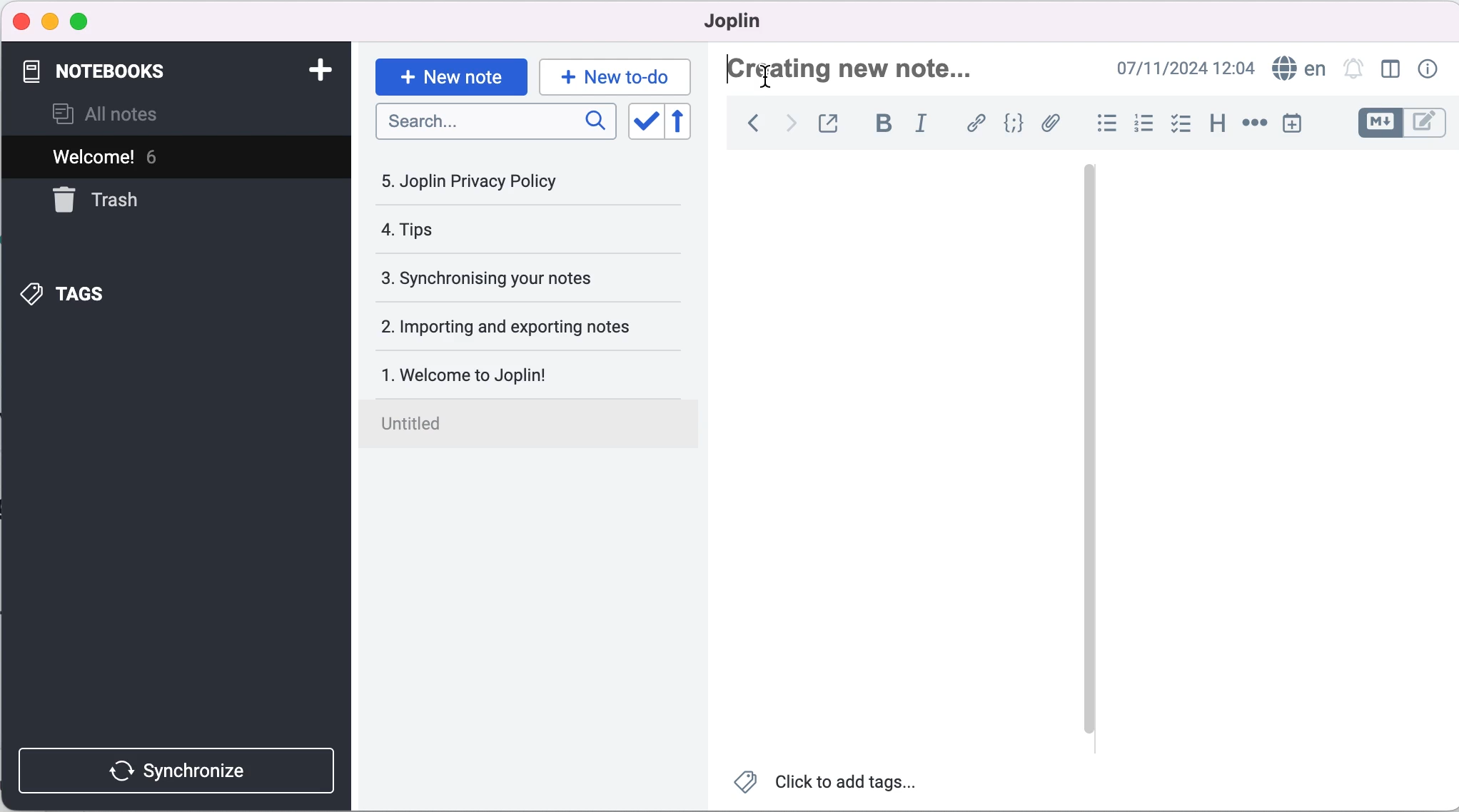  I want to click on blank canvas note 1, so click(893, 459).